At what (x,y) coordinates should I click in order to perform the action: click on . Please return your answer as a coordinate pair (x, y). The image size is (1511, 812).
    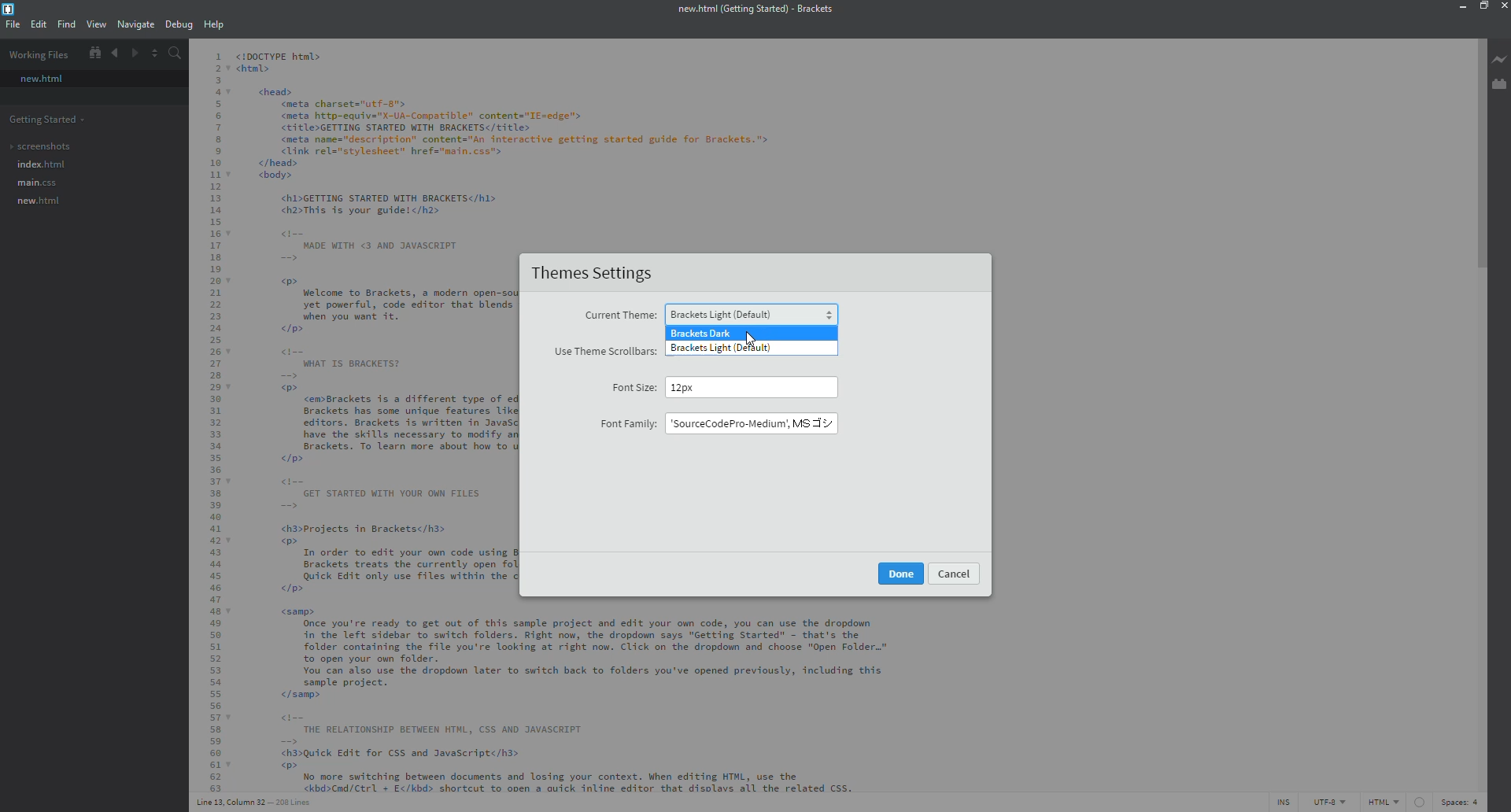
    Looking at the image, I should click on (900, 573).